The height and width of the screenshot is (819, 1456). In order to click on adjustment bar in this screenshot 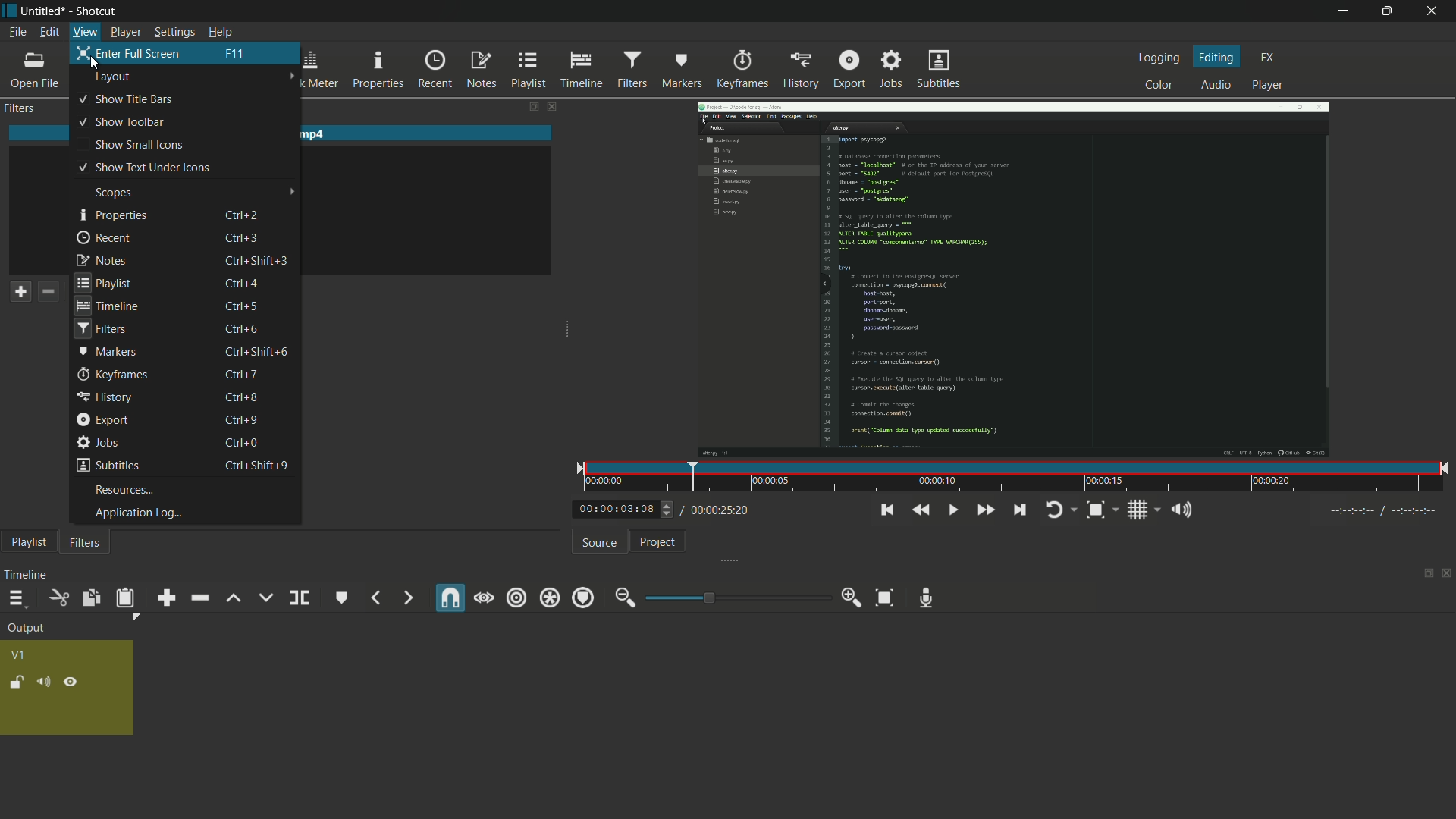, I will do `click(738, 598)`.